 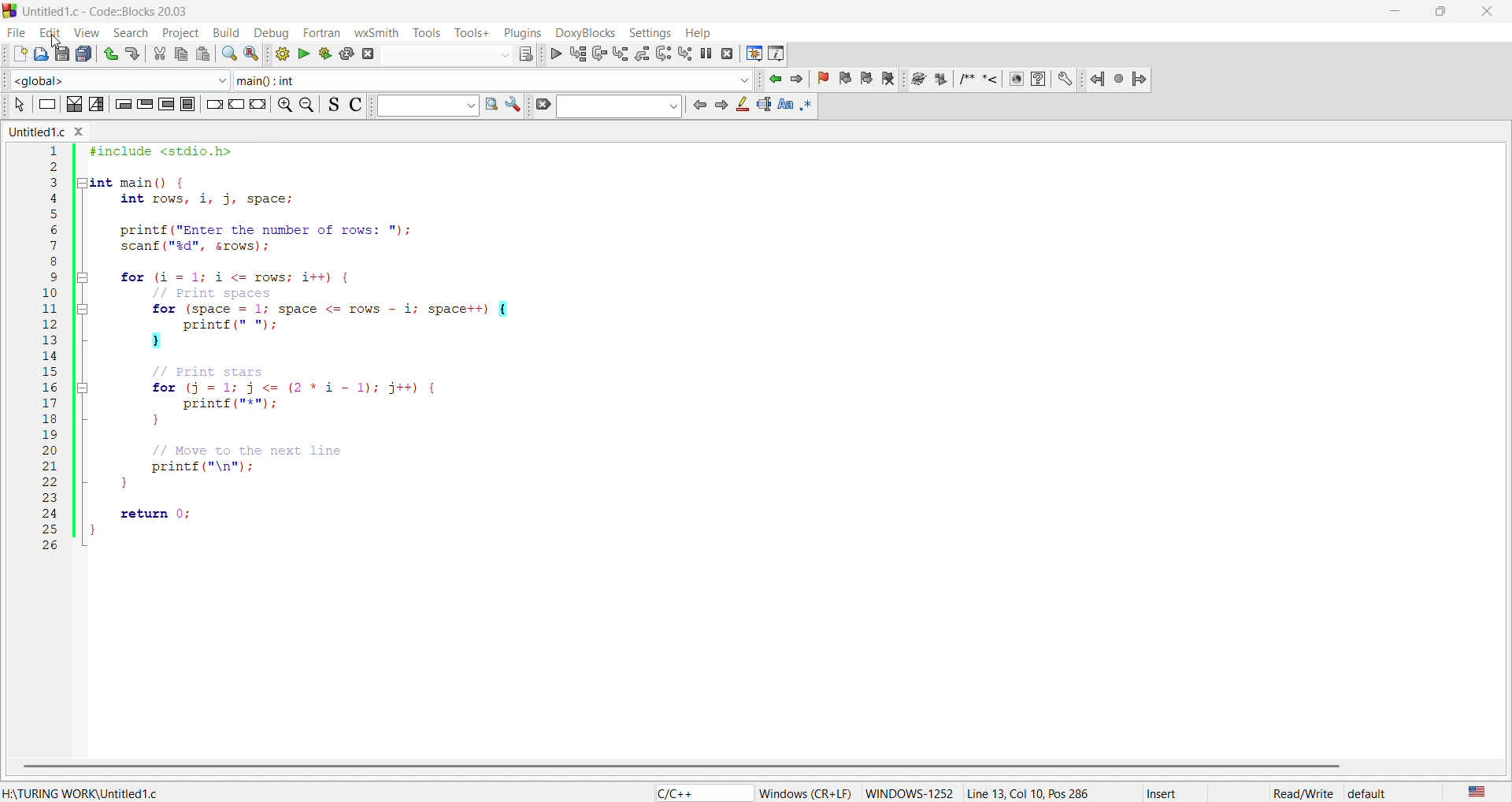 What do you see at coordinates (253, 55) in the screenshot?
I see `search and replace` at bounding box center [253, 55].